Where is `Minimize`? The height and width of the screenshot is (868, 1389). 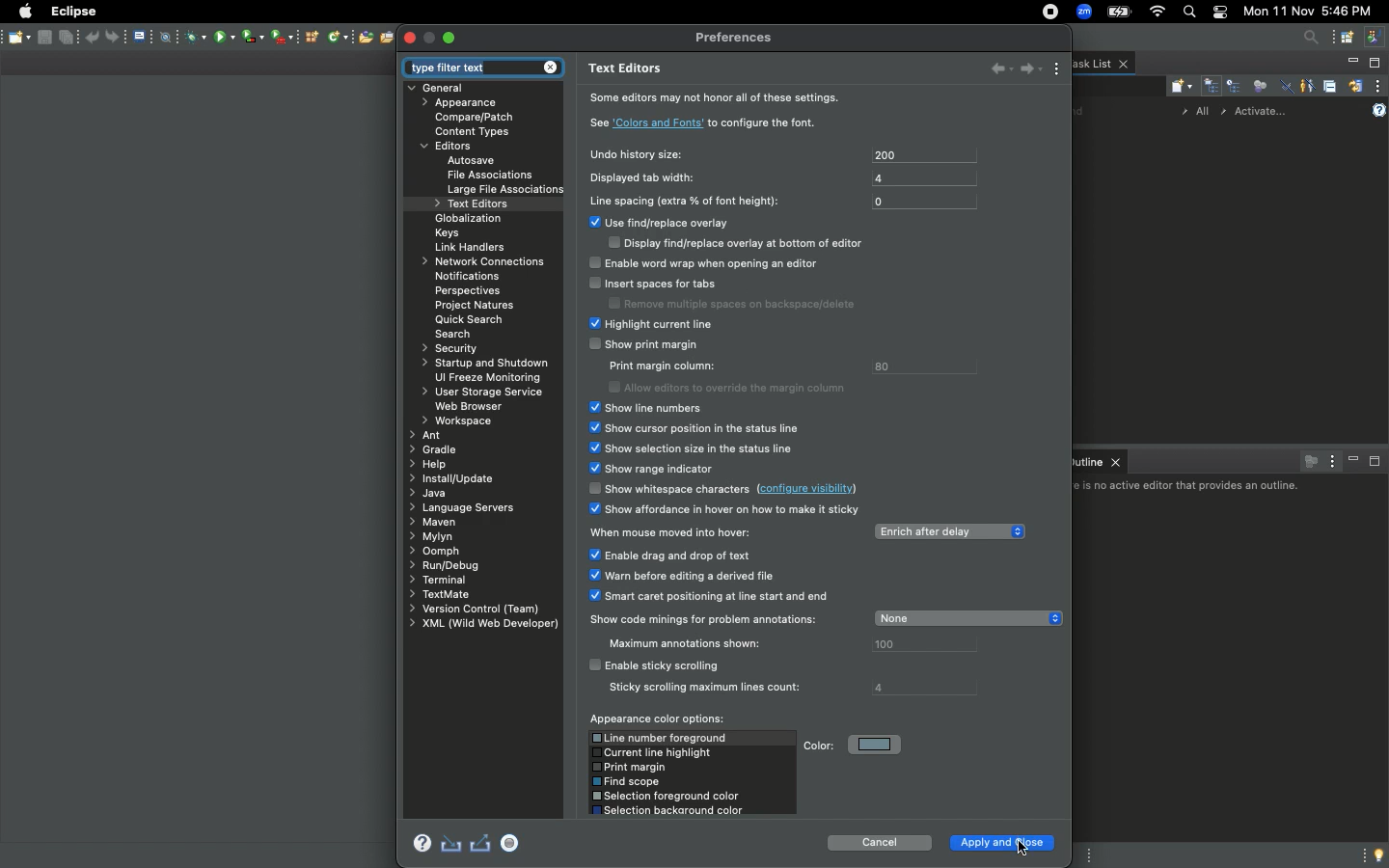 Minimize is located at coordinates (1353, 461).